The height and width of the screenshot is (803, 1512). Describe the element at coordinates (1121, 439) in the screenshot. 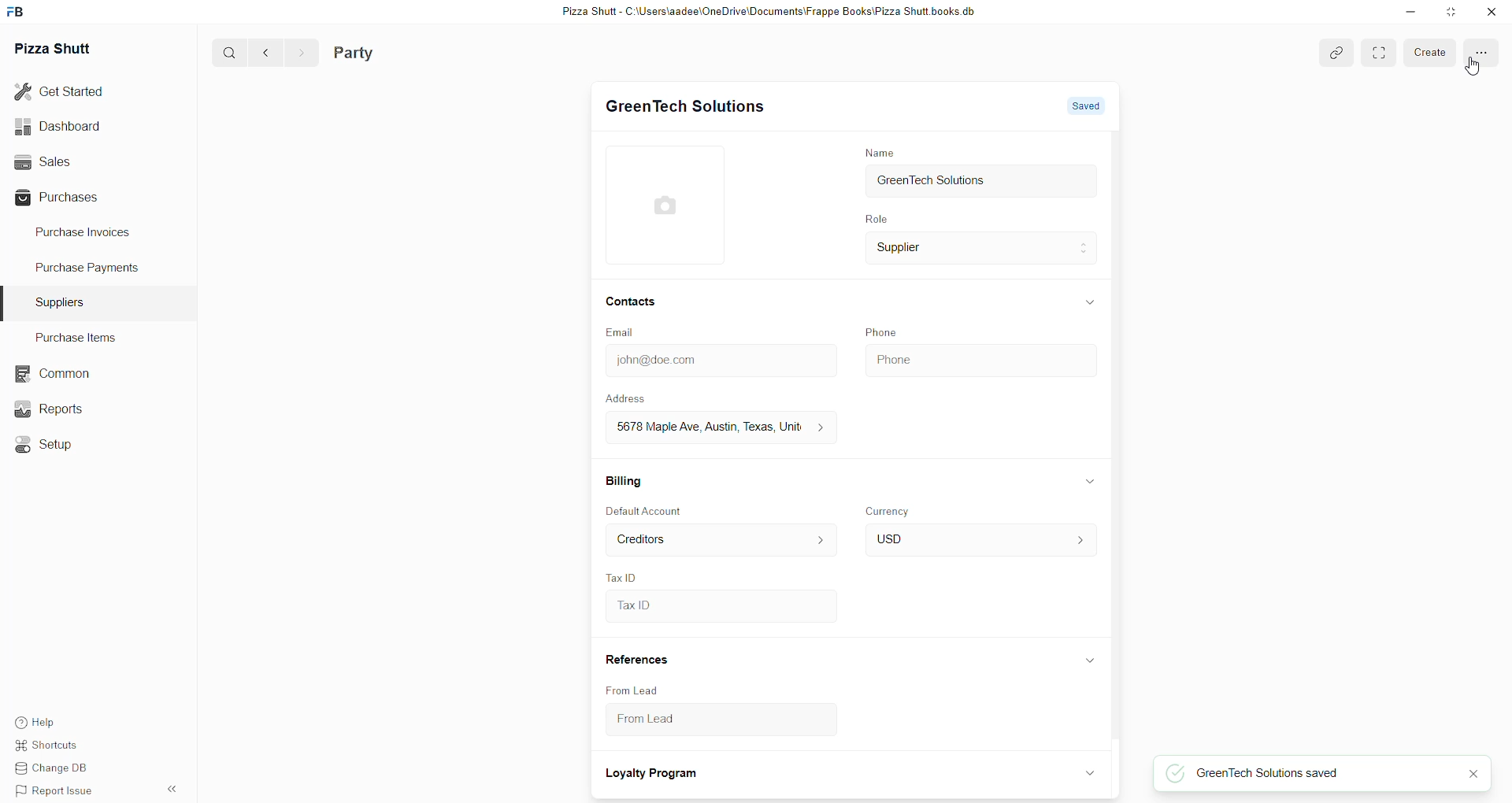

I see `vertical scrollbar` at that location.